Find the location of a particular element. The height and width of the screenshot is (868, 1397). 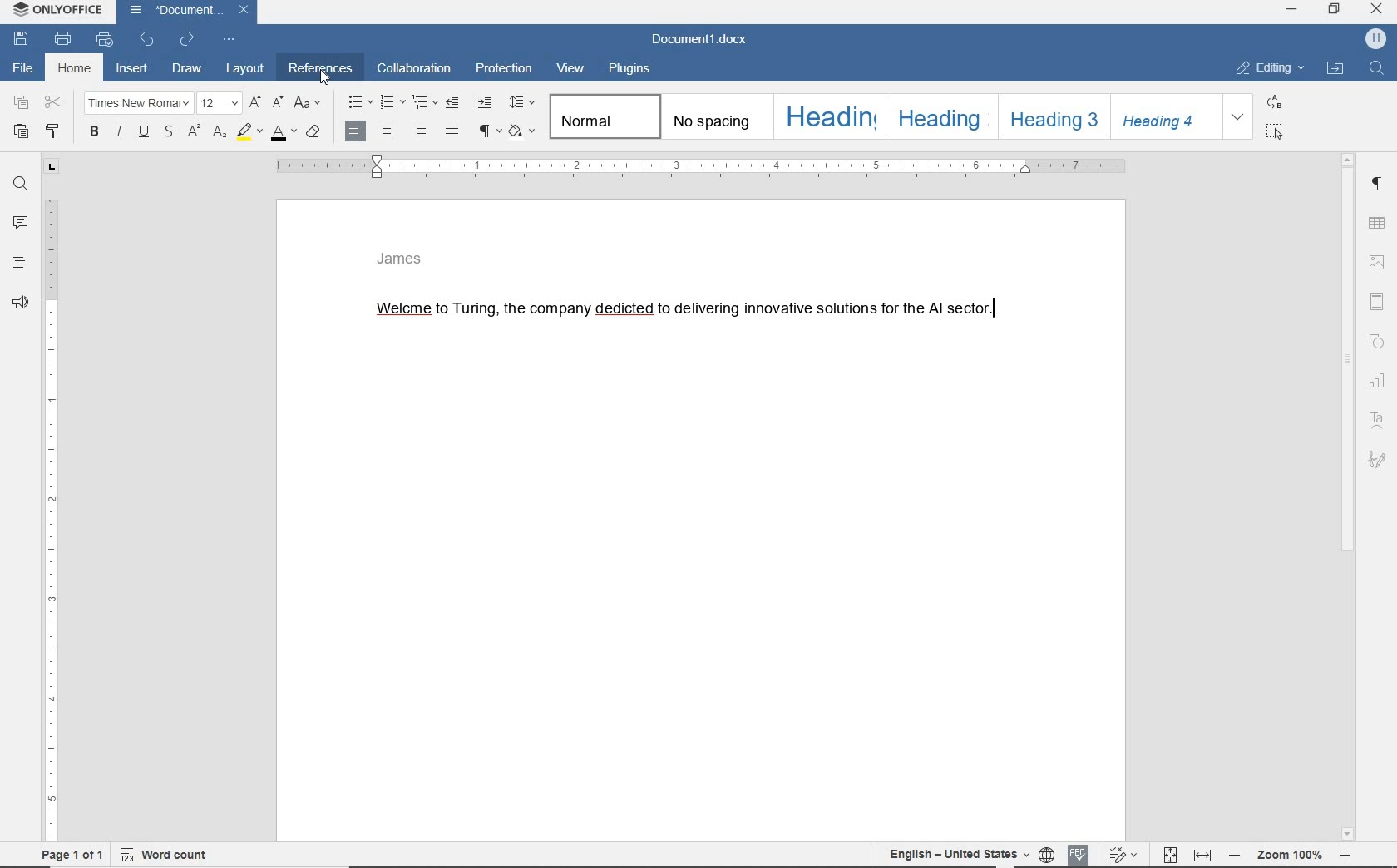

underline is located at coordinates (146, 133).